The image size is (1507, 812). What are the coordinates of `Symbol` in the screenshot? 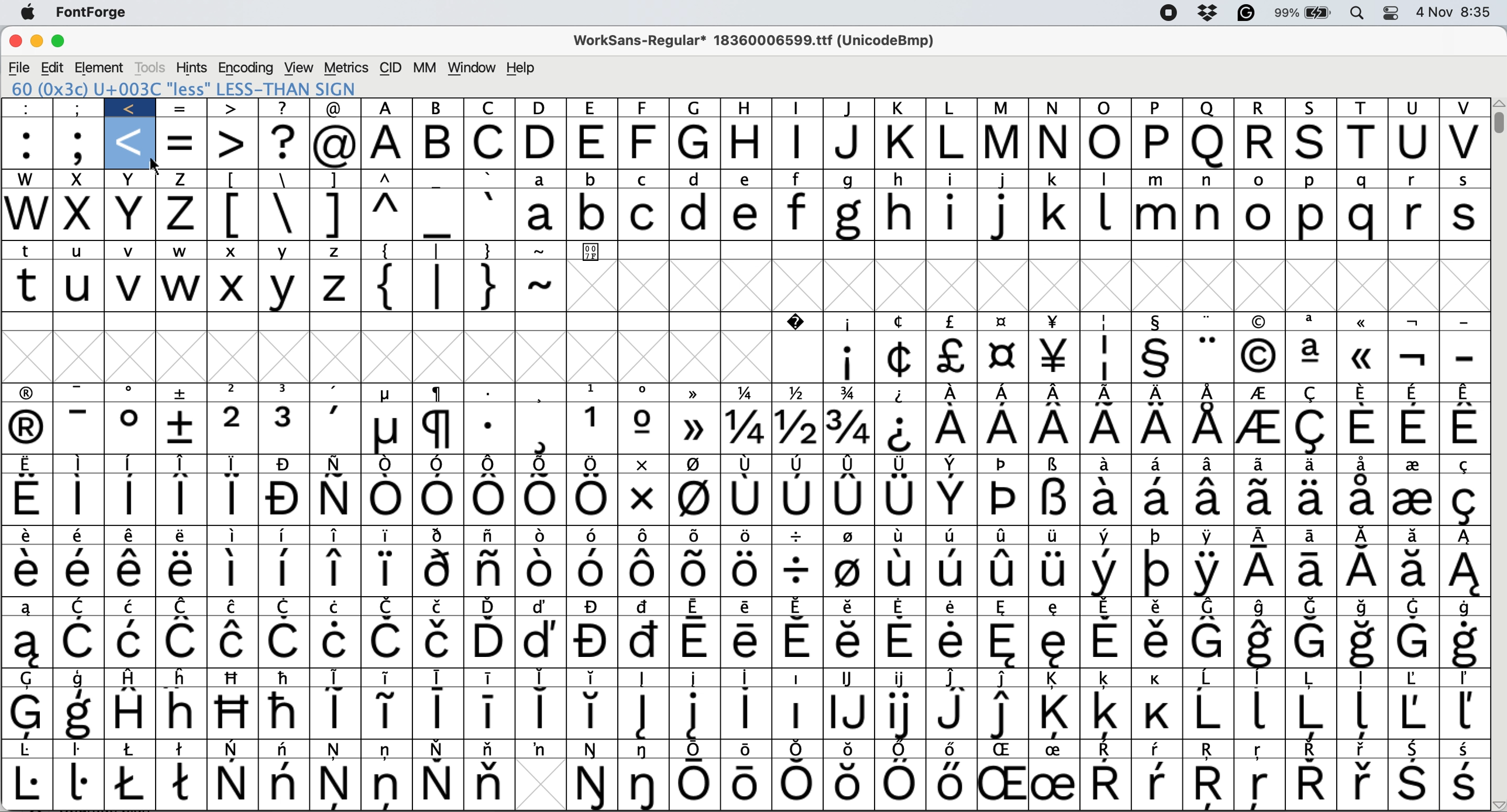 It's located at (236, 676).